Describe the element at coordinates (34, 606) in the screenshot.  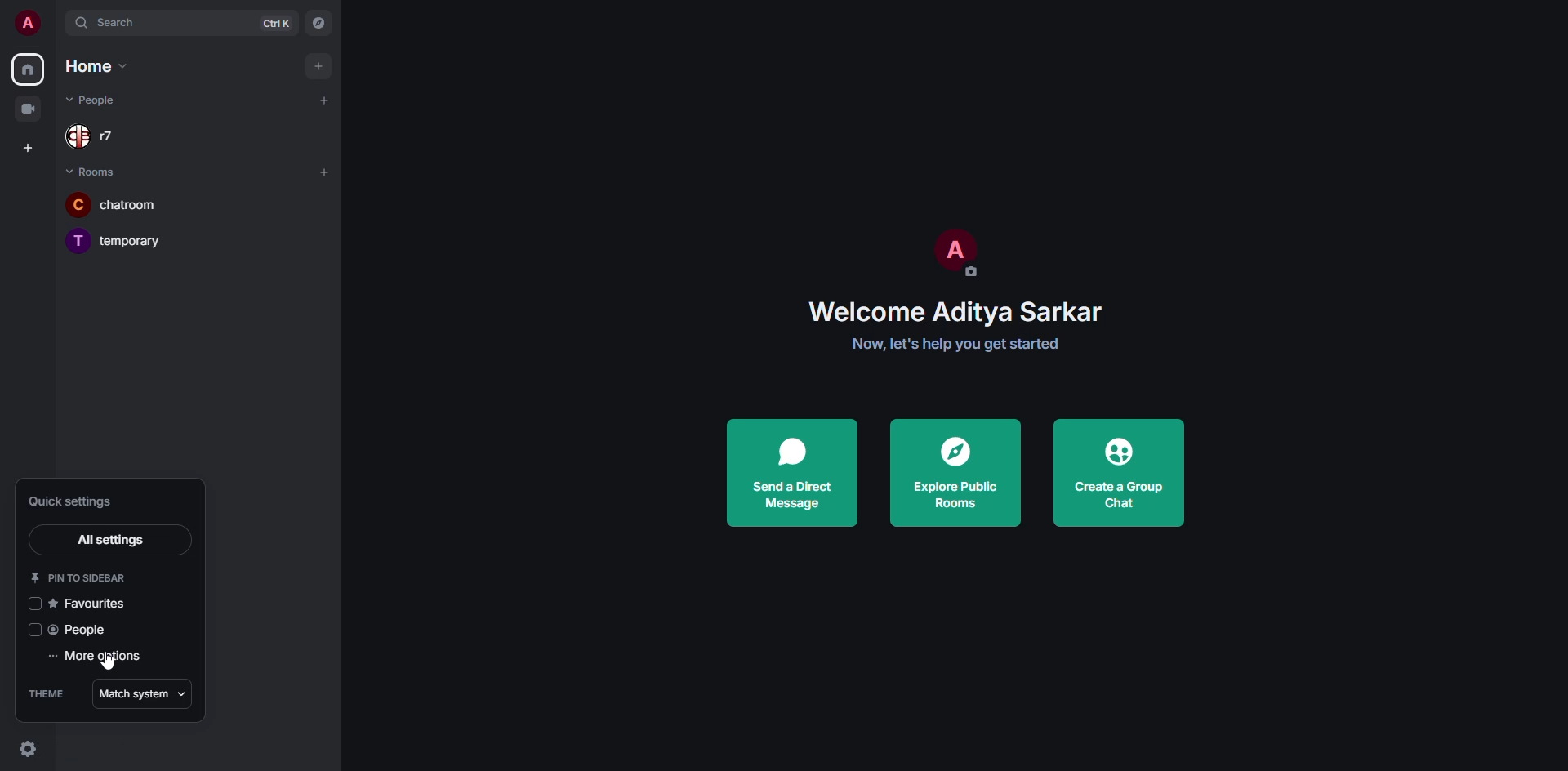
I see `click to enable` at that location.